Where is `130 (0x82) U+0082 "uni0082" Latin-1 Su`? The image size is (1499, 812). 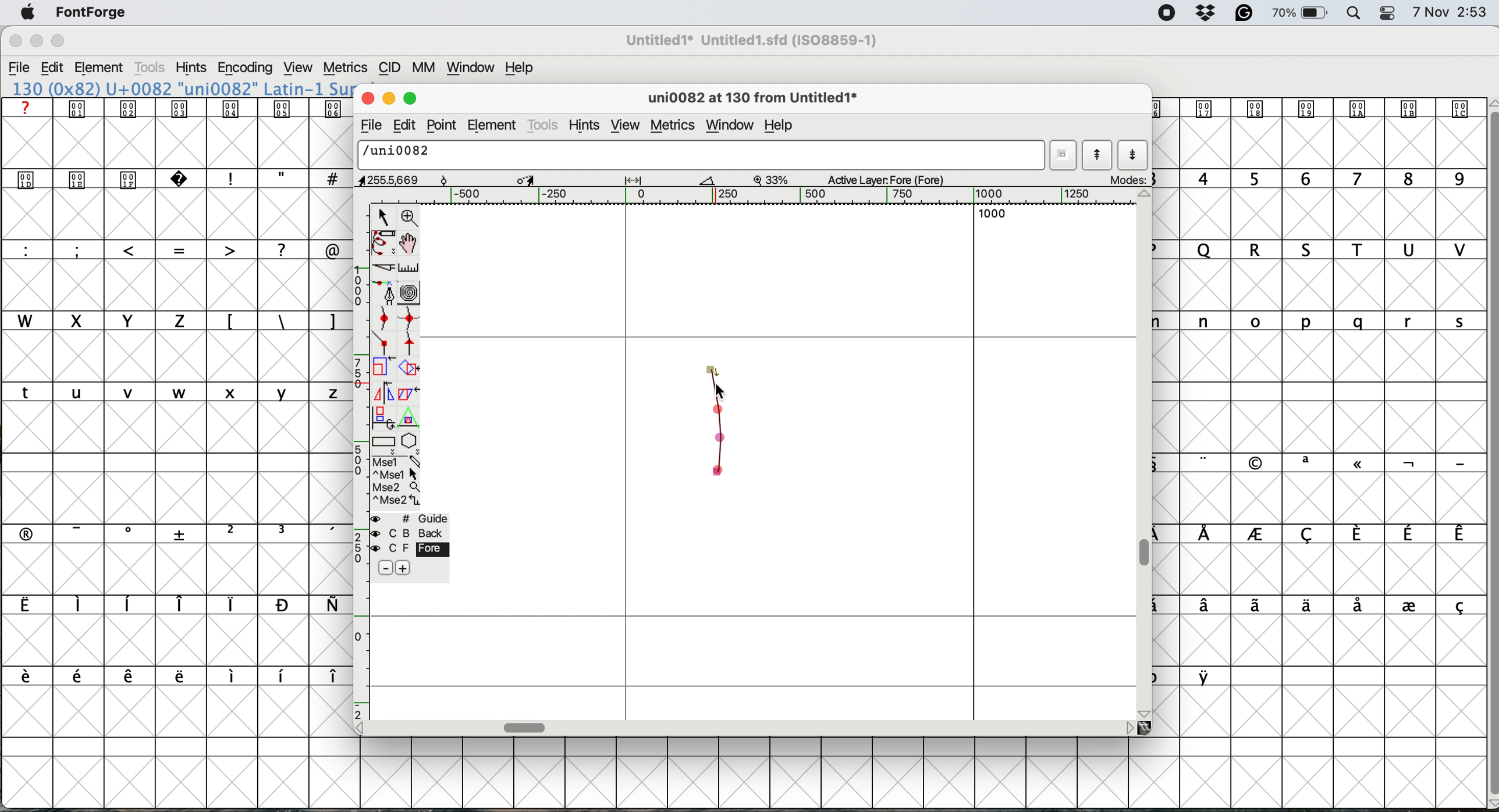
130 (0x82) U+0082 "uni0082" Latin-1 Su is located at coordinates (182, 88).